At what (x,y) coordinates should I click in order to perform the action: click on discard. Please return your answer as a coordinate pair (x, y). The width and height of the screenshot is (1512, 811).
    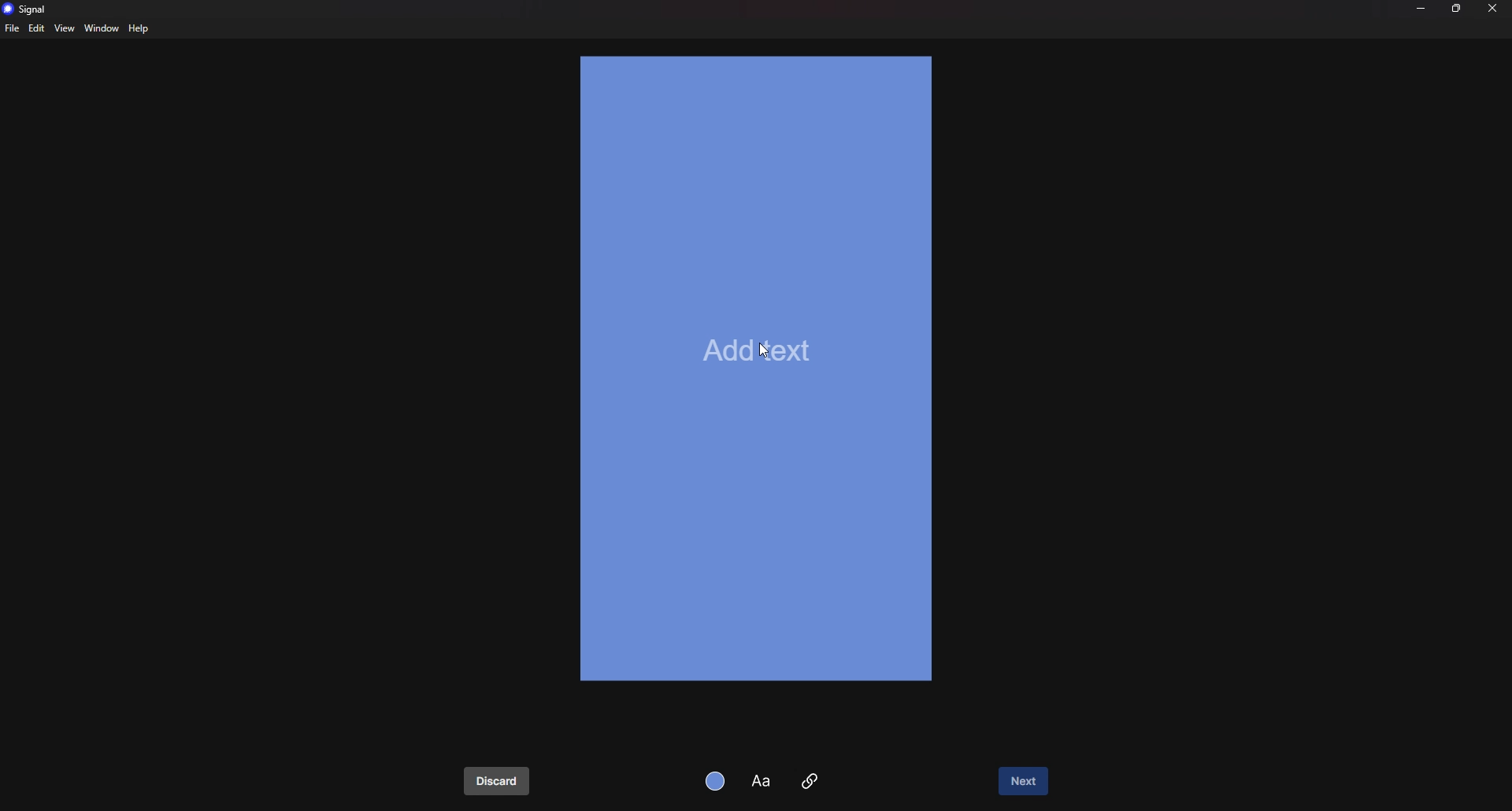
    Looking at the image, I should click on (497, 782).